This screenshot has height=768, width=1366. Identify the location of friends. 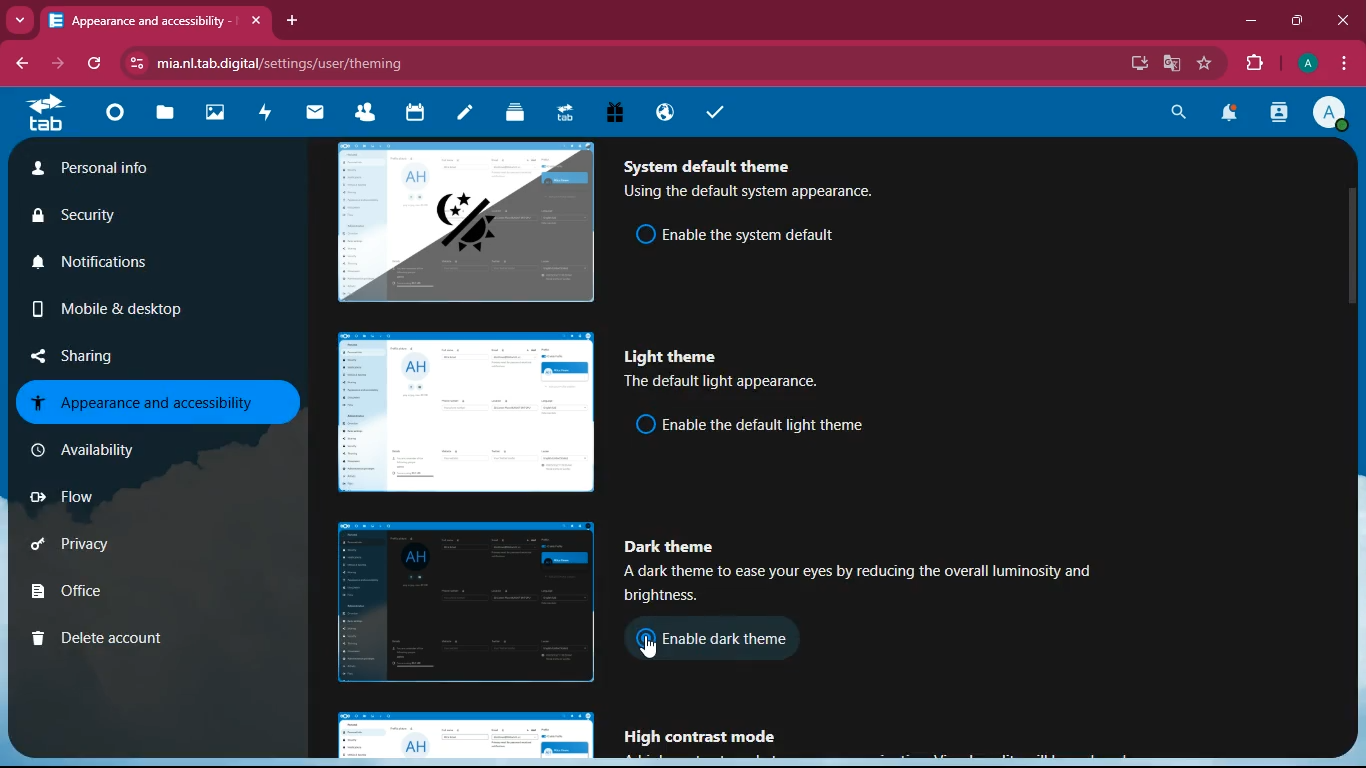
(369, 114).